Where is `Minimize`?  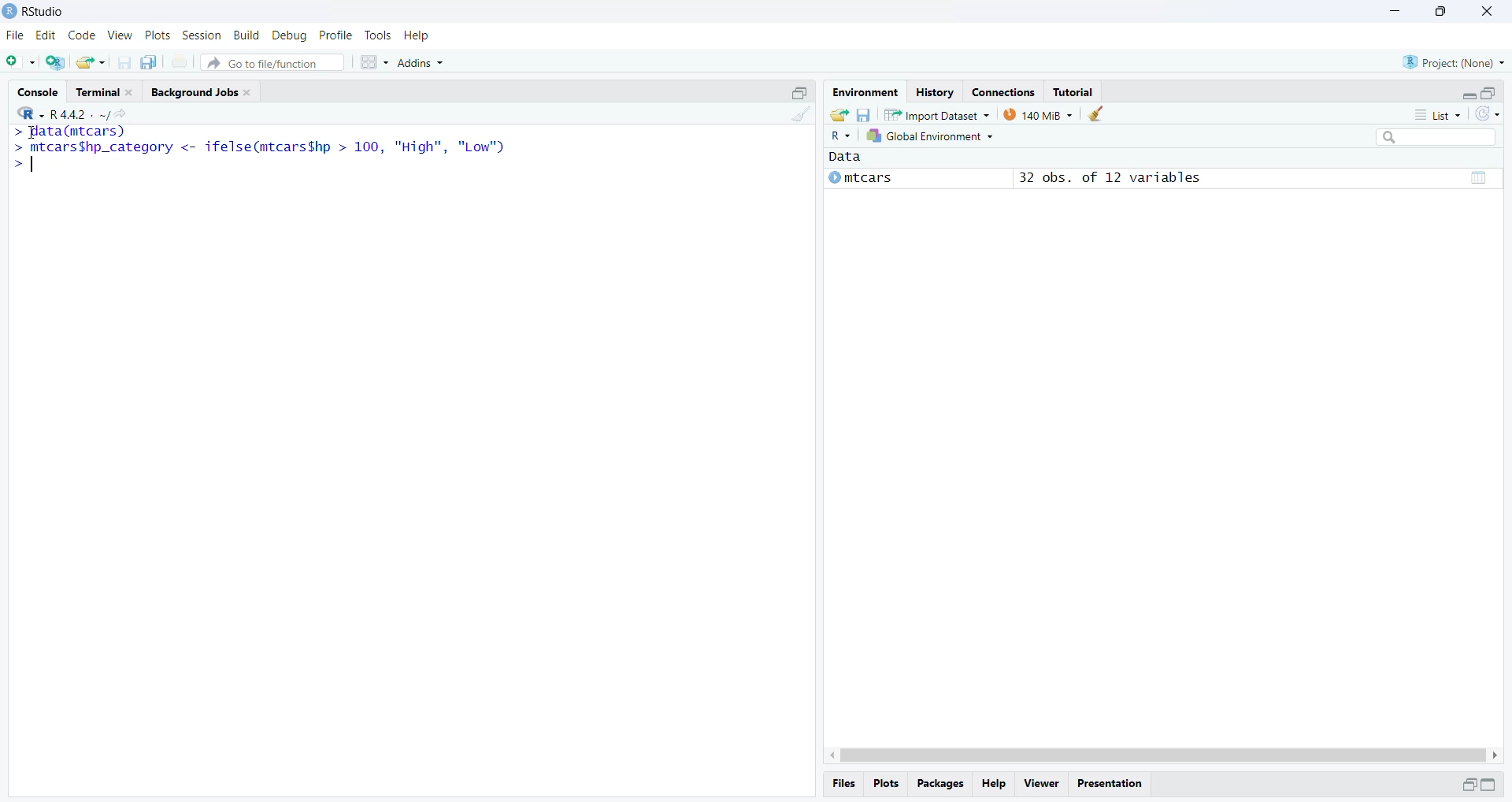
Minimize is located at coordinates (1465, 93).